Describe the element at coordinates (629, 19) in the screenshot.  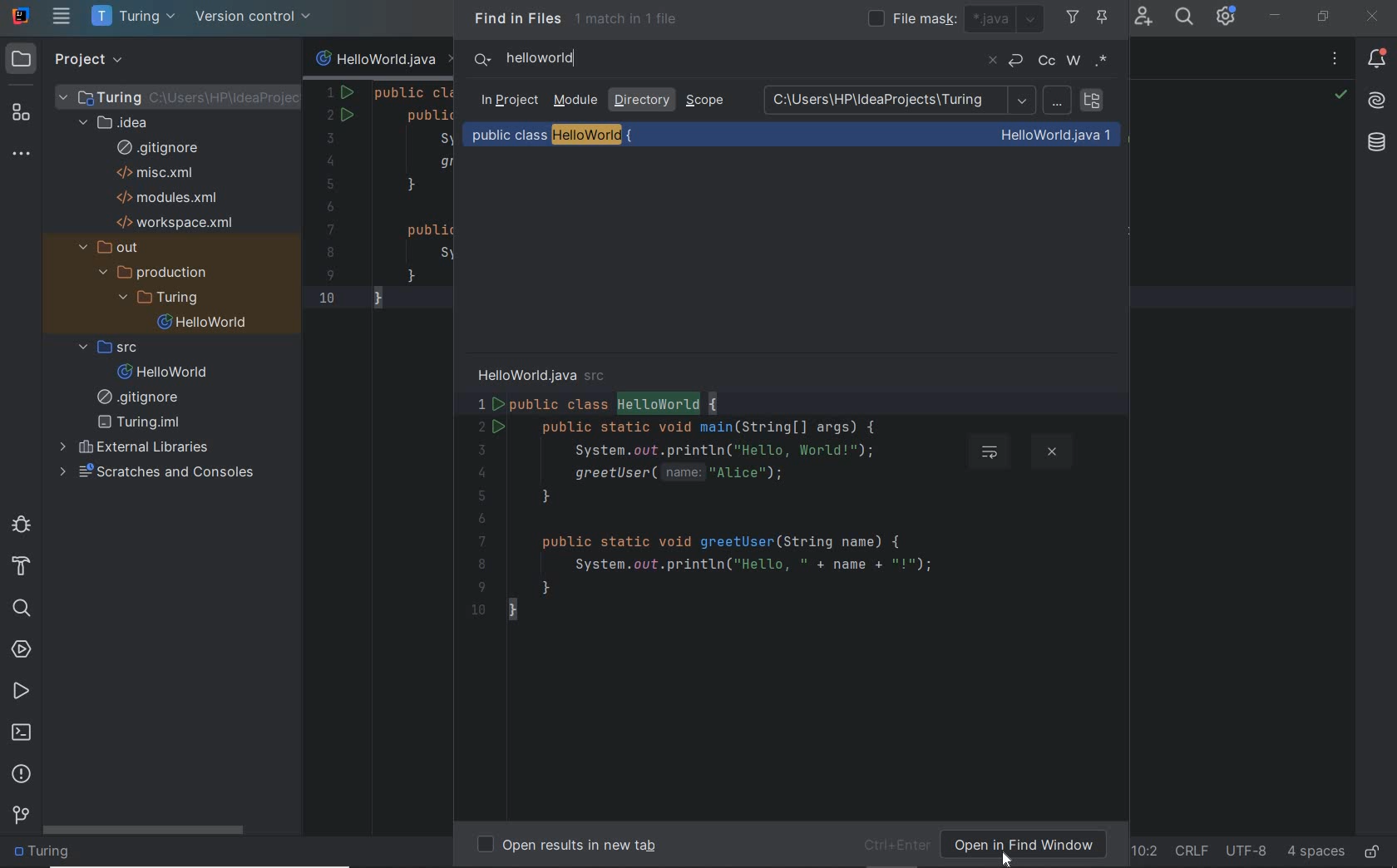
I see `1 match in 1 file` at that location.